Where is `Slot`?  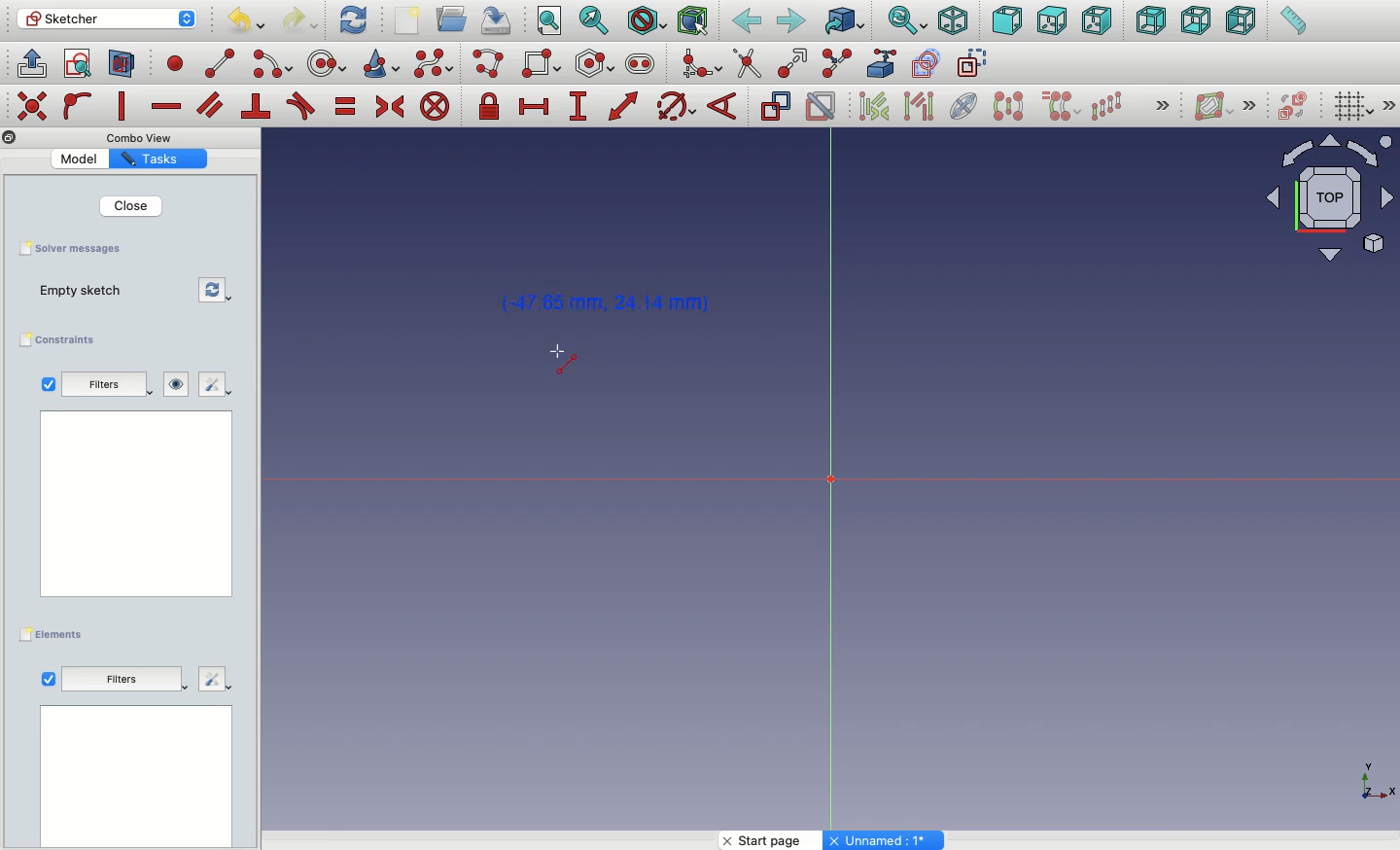 Slot is located at coordinates (641, 64).